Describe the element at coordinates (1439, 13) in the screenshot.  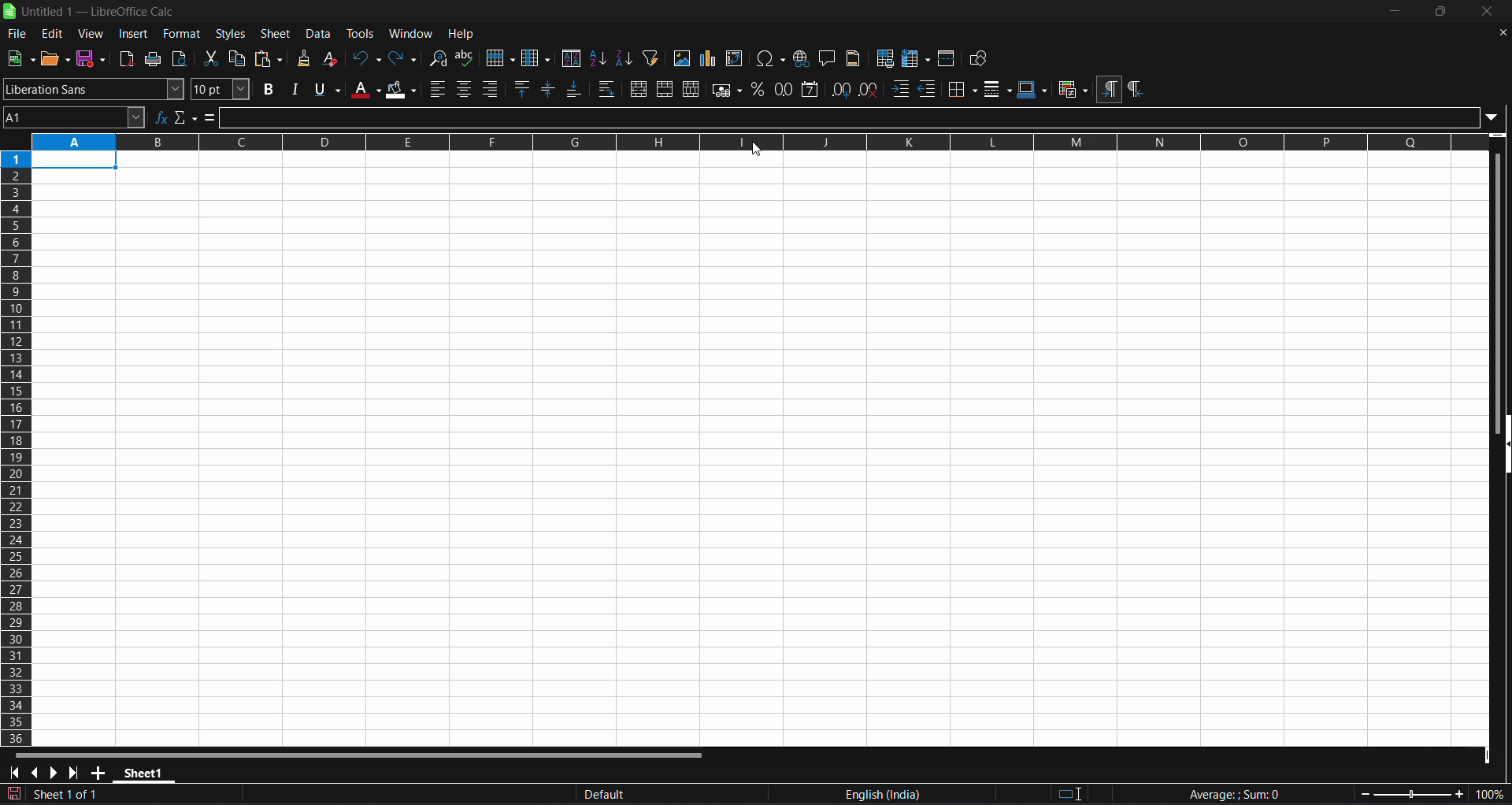
I see `maximize` at that location.